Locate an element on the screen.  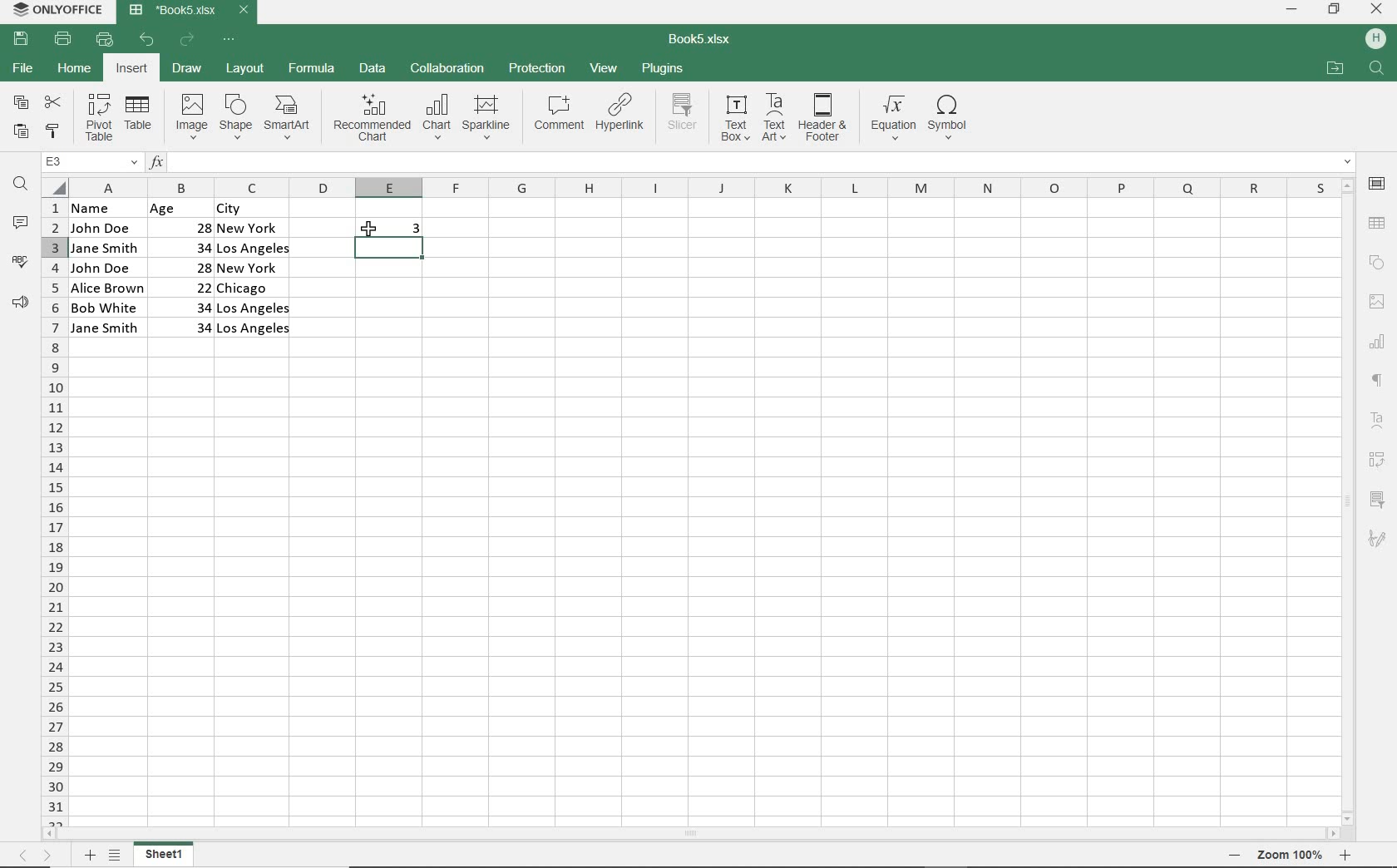
SAVE is located at coordinates (20, 40).